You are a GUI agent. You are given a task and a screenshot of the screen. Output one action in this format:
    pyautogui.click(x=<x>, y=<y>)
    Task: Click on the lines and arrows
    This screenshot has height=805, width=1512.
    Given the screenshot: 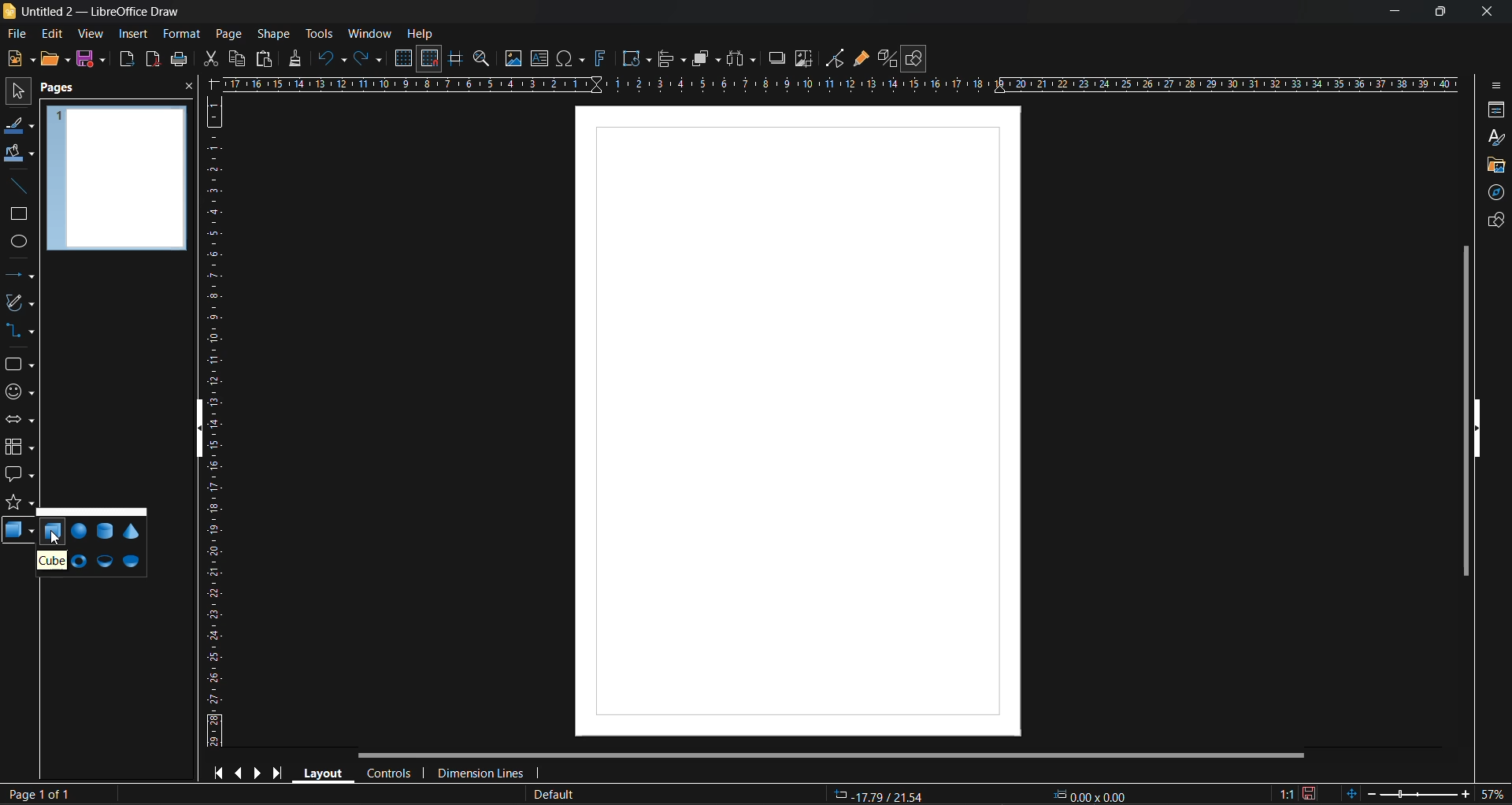 What is the action you would take?
    pyautogui.click(x=20, y=275)
    